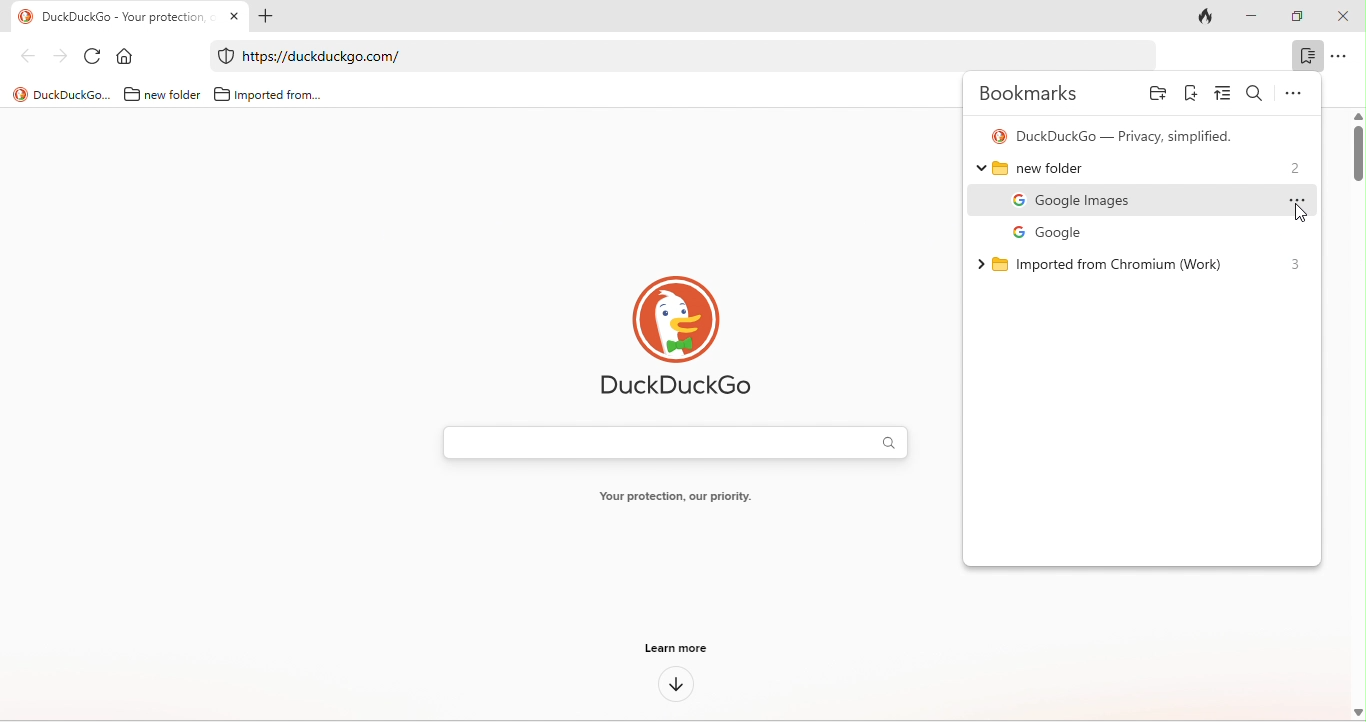 This screenshot has width=1366, height=722. Describe the element at coordinates (675, 687) in the screenshot. I see `down arrow` at that location.